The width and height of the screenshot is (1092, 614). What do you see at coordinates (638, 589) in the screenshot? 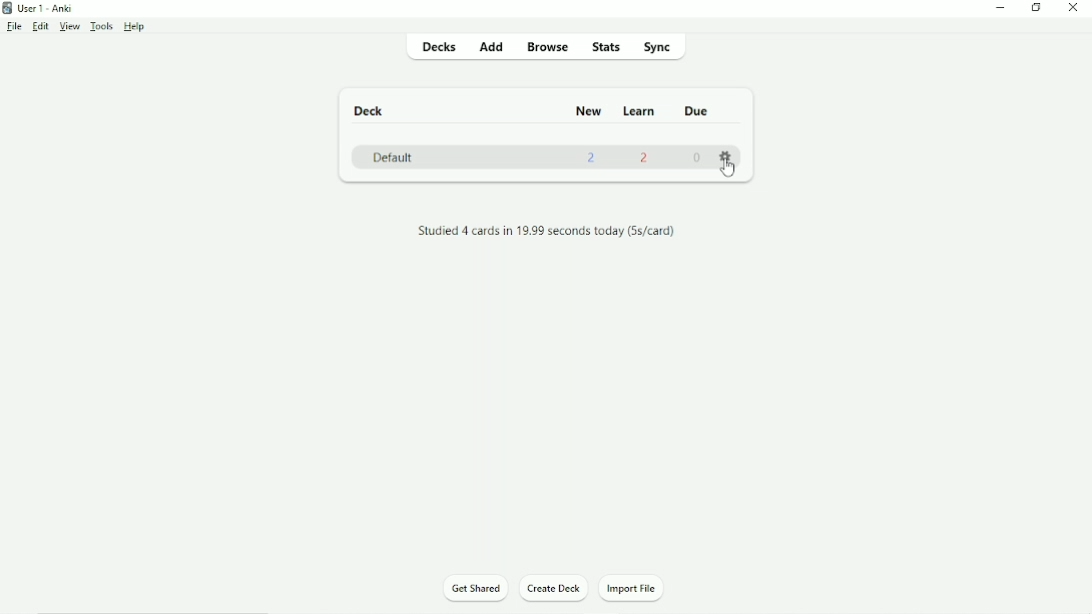
I see `Import File` at bounding box center [638, 589].